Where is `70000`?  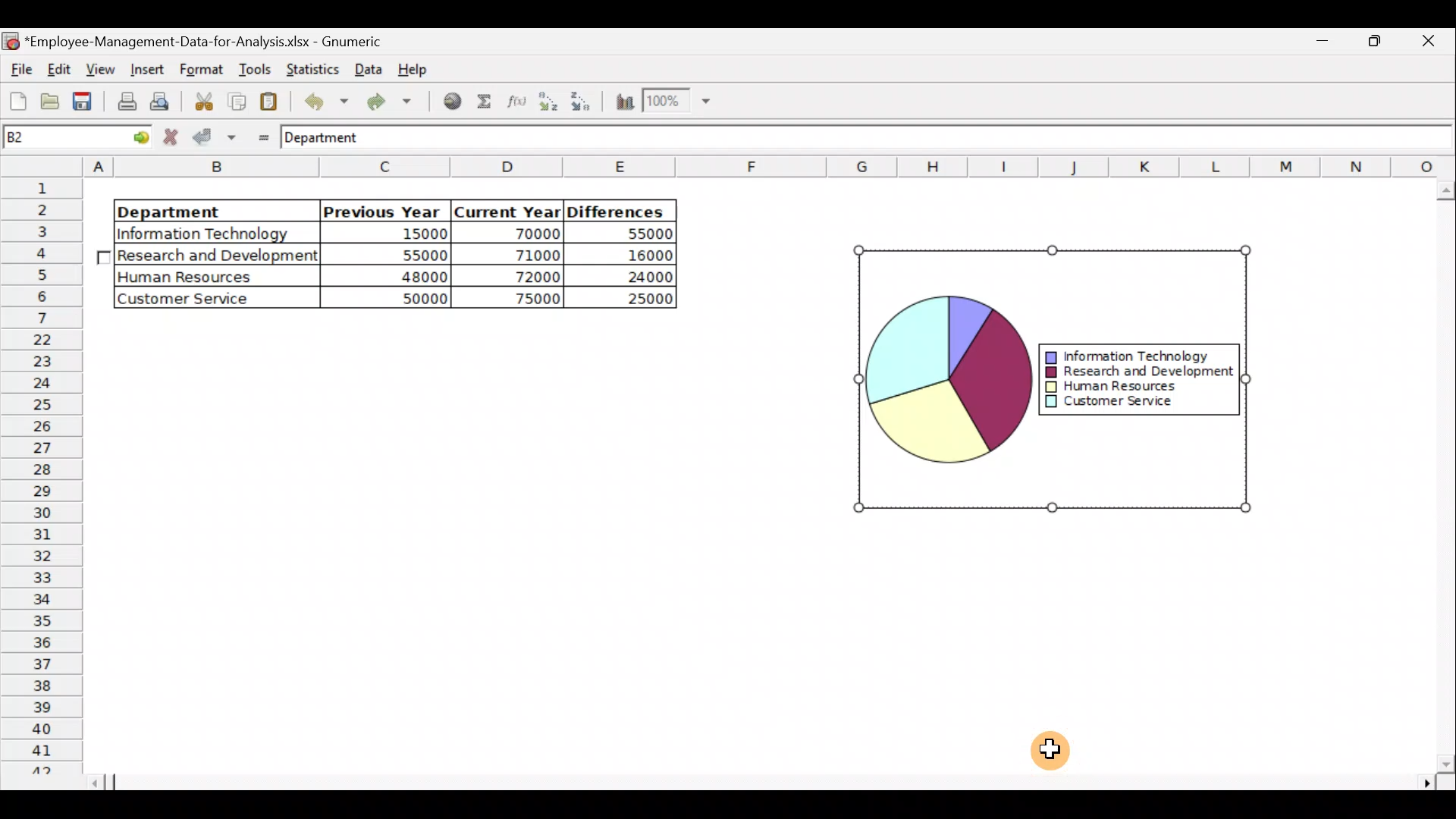
70000 is located at coordinates (522, 233).